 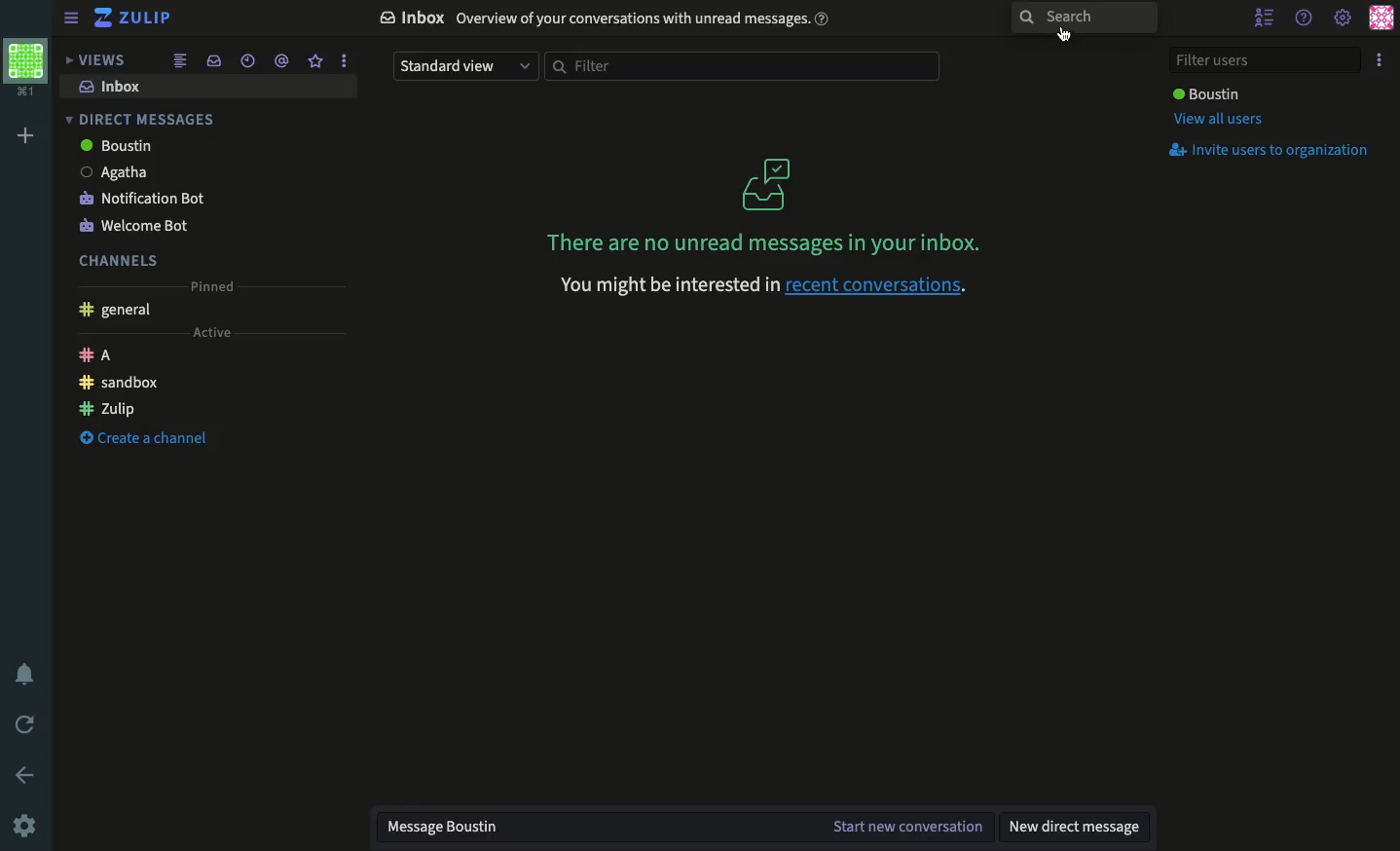 I want to click on start new conversation, so click(x=909, y=830).